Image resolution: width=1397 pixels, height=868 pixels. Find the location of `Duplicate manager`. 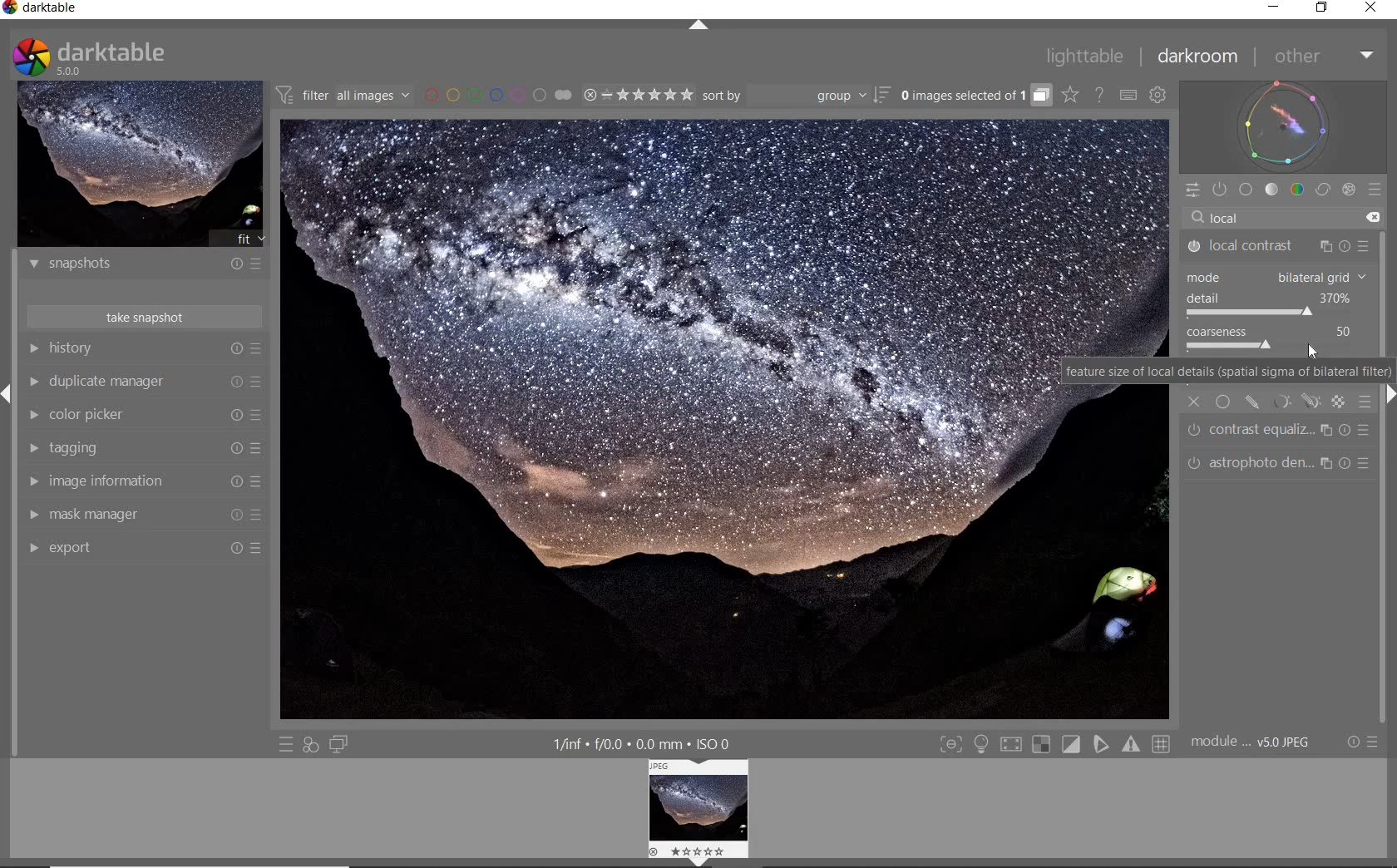

Duplicate manager is located at coordinates (111, 379).